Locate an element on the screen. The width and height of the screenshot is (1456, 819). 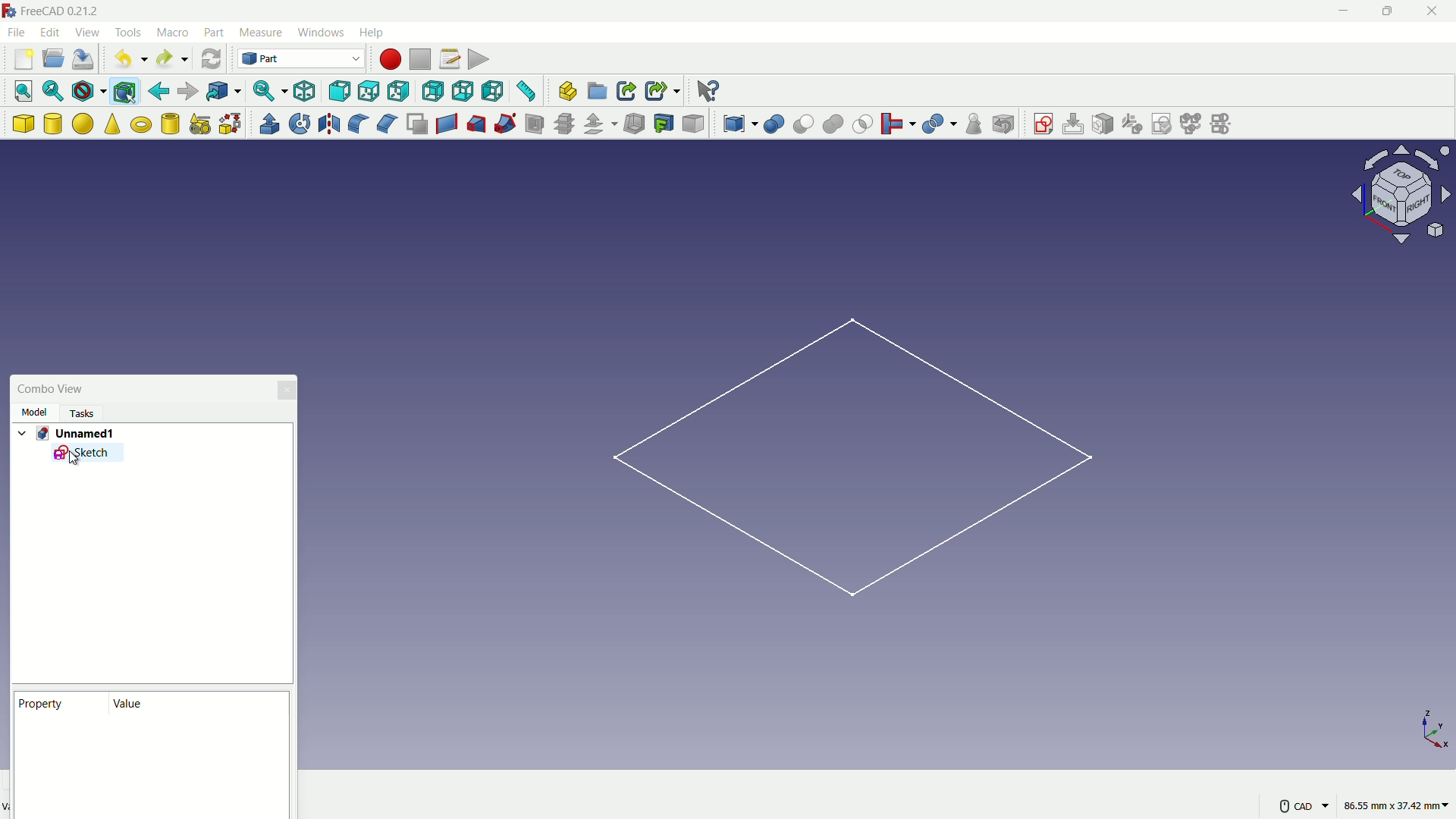
fit selection is located at coordinates (55, 90).